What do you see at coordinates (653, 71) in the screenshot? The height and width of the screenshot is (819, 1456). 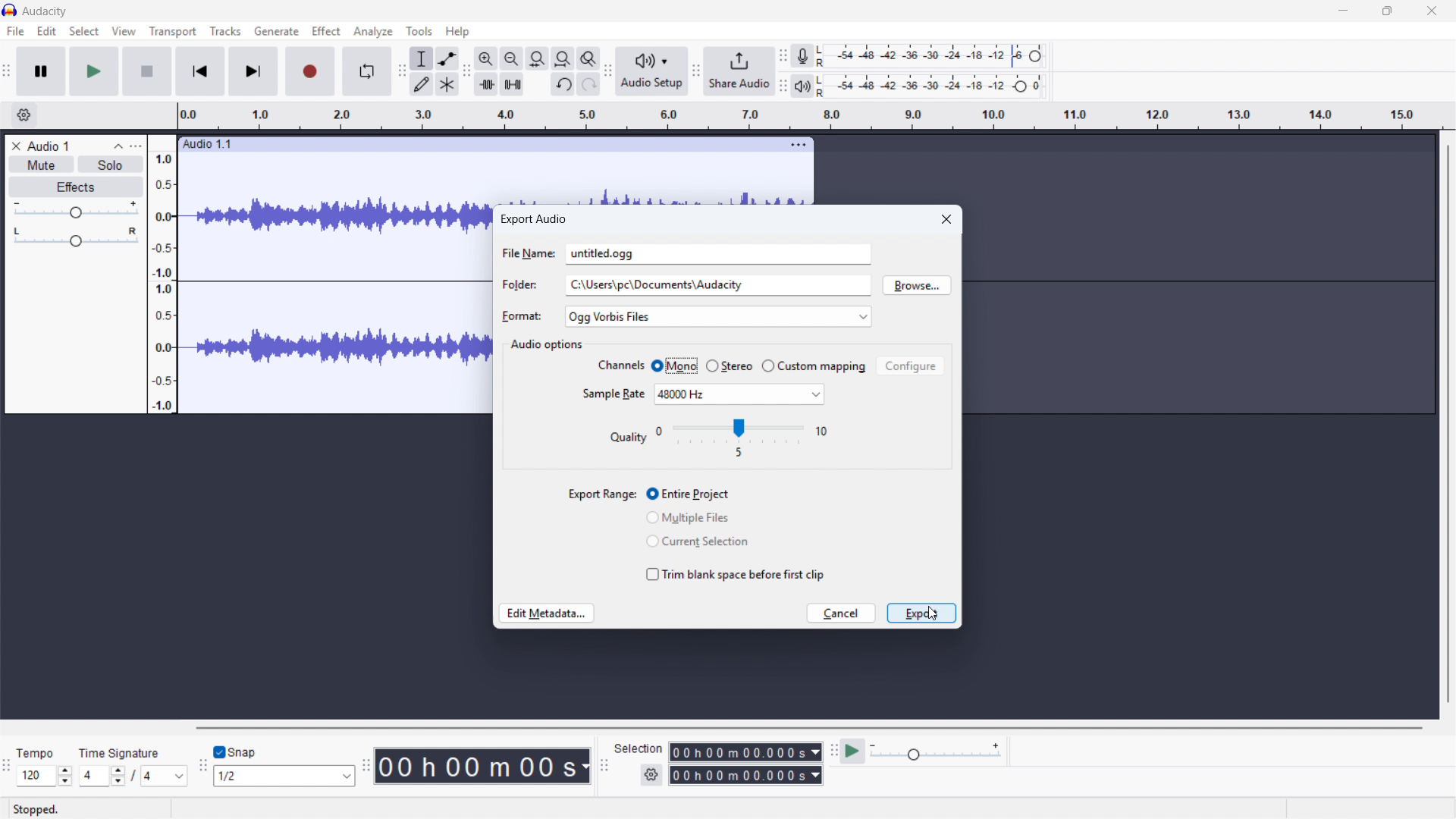 I see `Audio setup ` at bounding box center [653, 71].